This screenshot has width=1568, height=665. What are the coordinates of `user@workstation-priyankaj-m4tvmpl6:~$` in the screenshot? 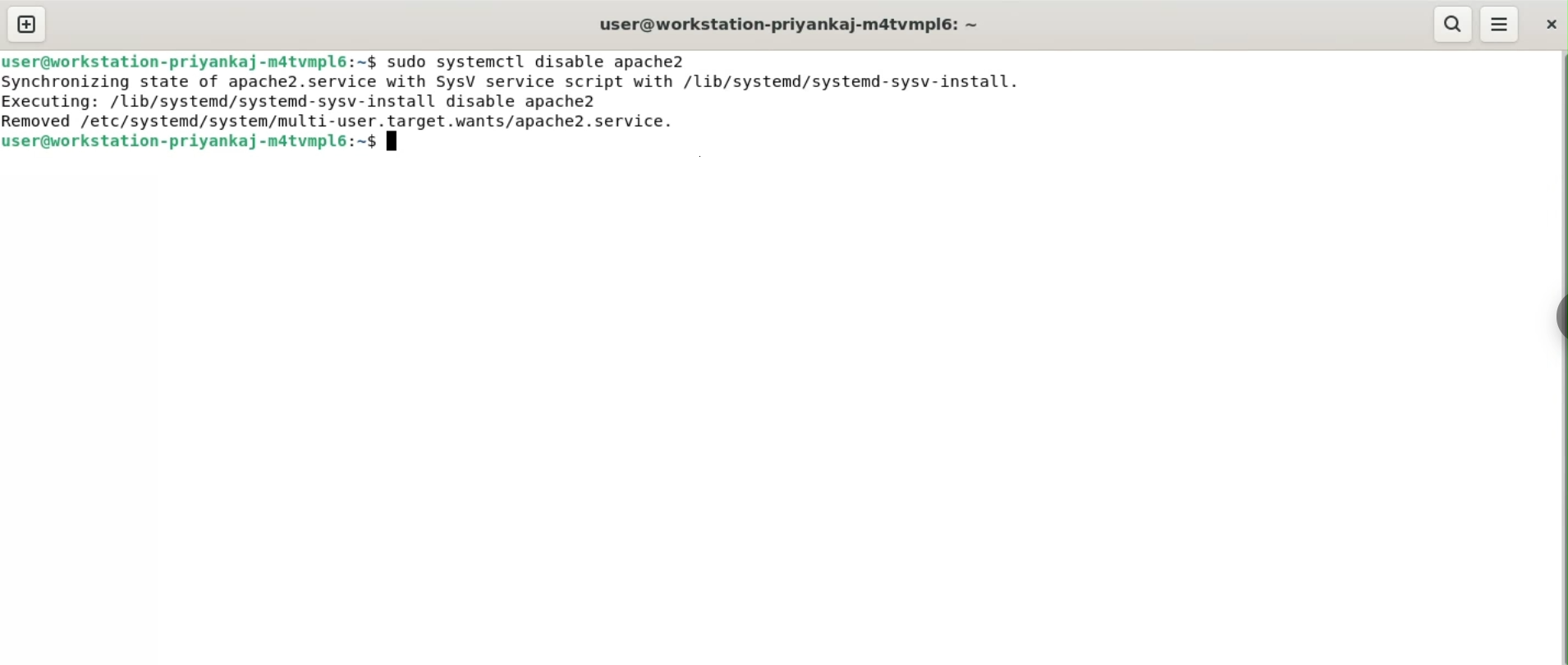 It's located at (189, 141).